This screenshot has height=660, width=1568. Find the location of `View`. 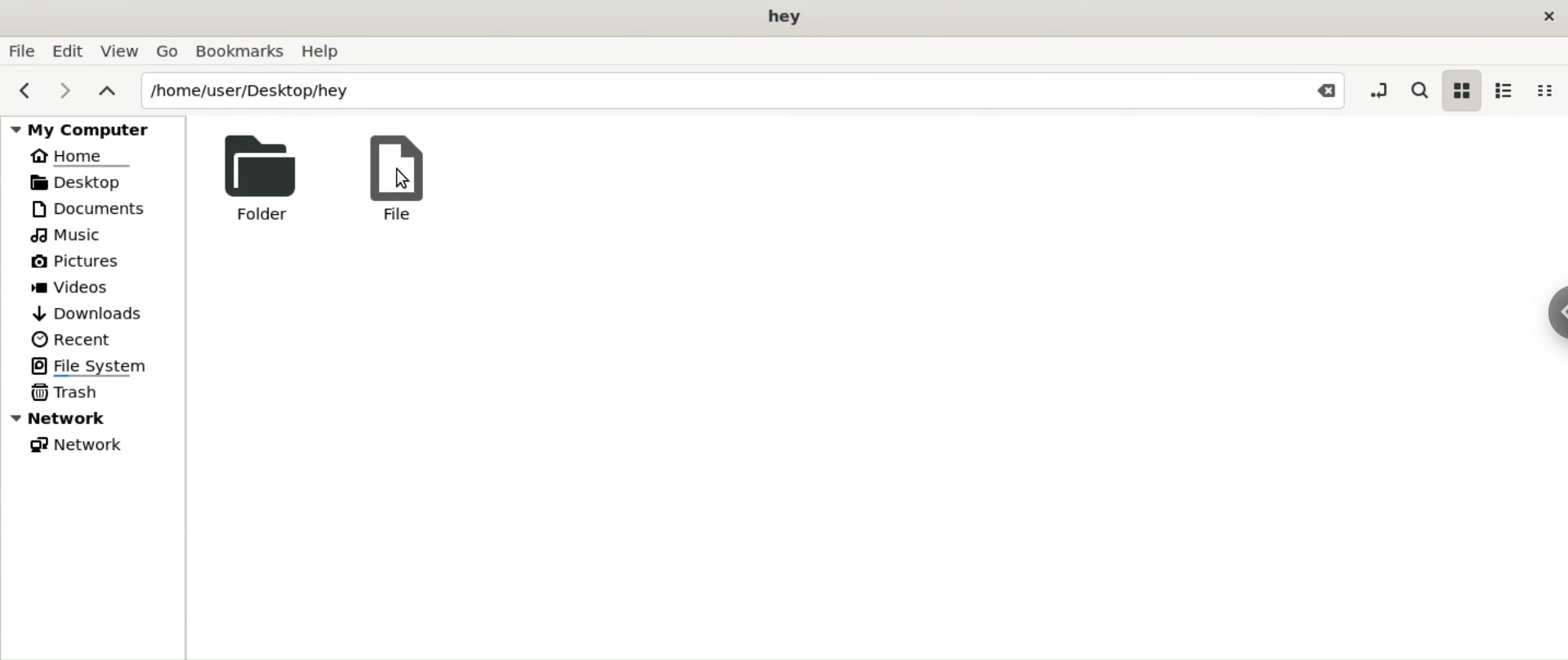

View is located at coordinates (121, 52).